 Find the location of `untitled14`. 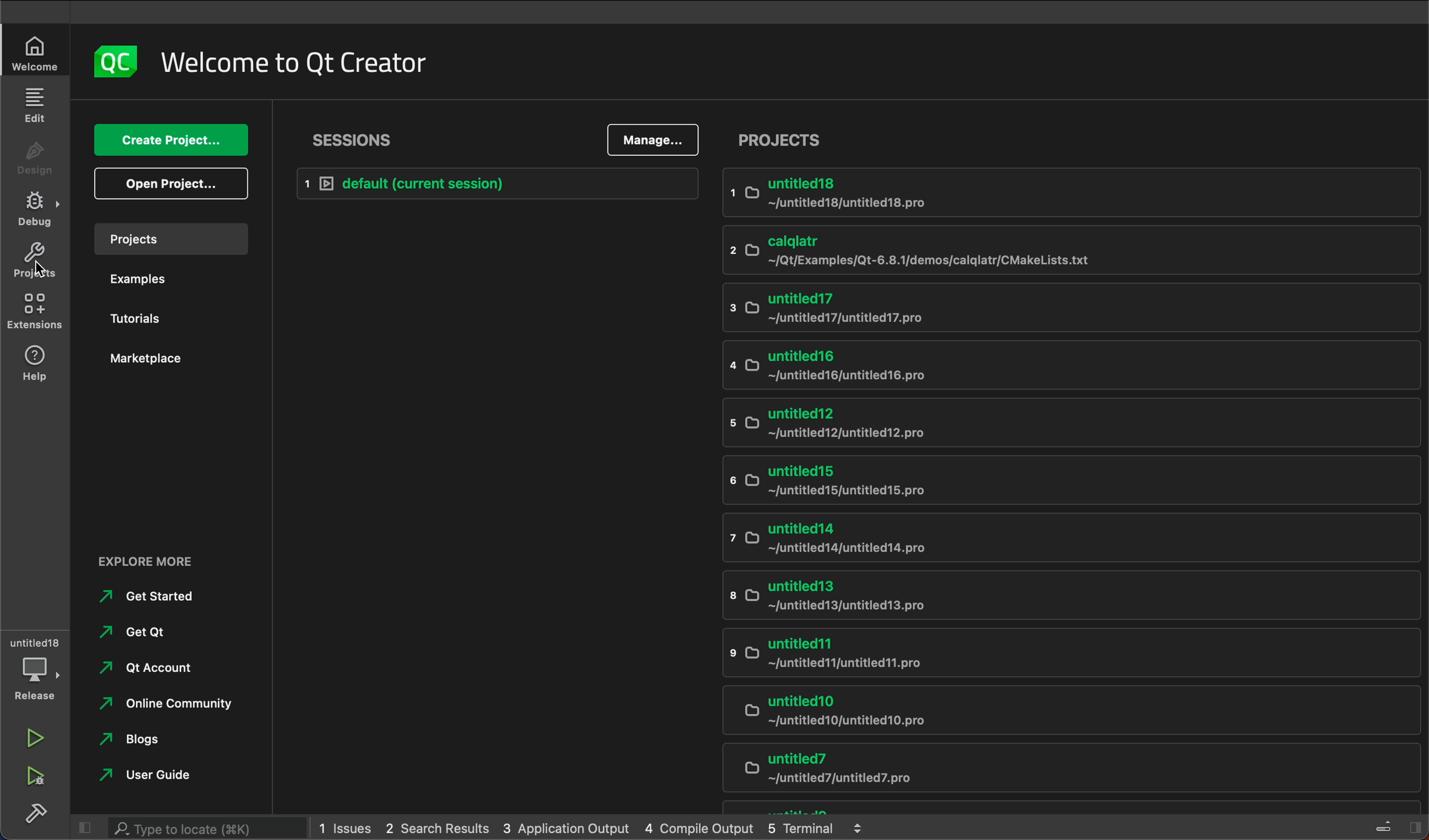

untitled14 is located at coordinates (1052, 535).